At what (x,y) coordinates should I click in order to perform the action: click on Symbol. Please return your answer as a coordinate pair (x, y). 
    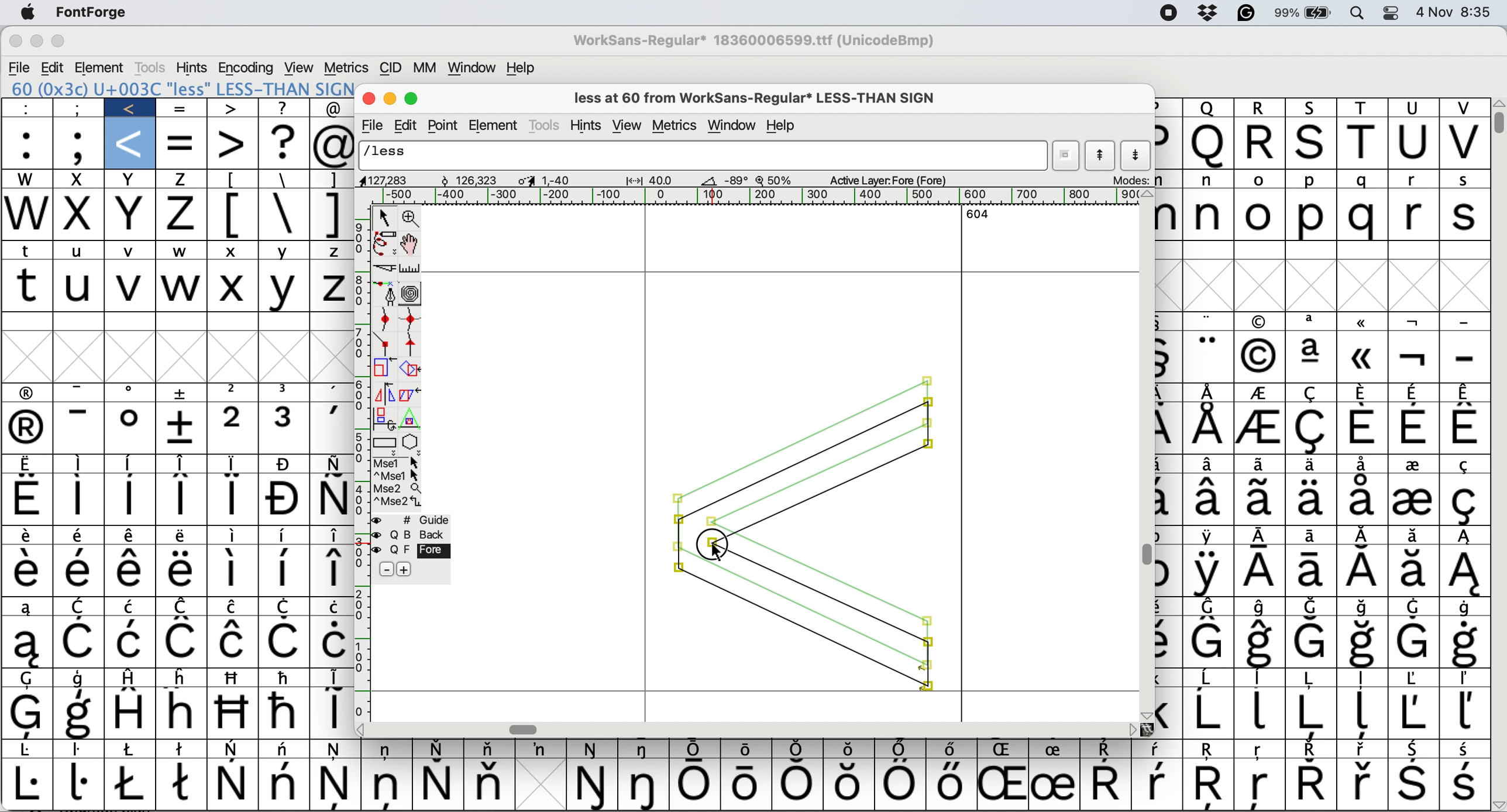
    Looking at the image, I should click on (81, 783).